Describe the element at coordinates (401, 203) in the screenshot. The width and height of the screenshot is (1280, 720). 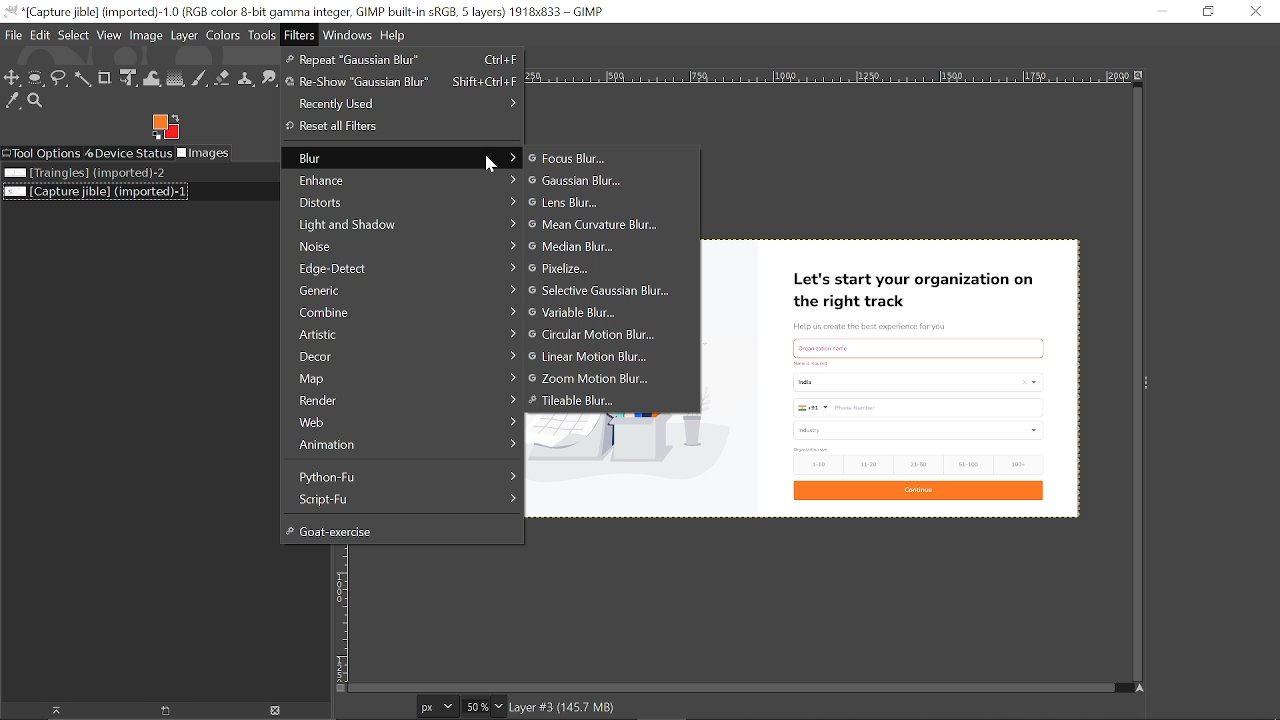
I see `Distorts` at that location.